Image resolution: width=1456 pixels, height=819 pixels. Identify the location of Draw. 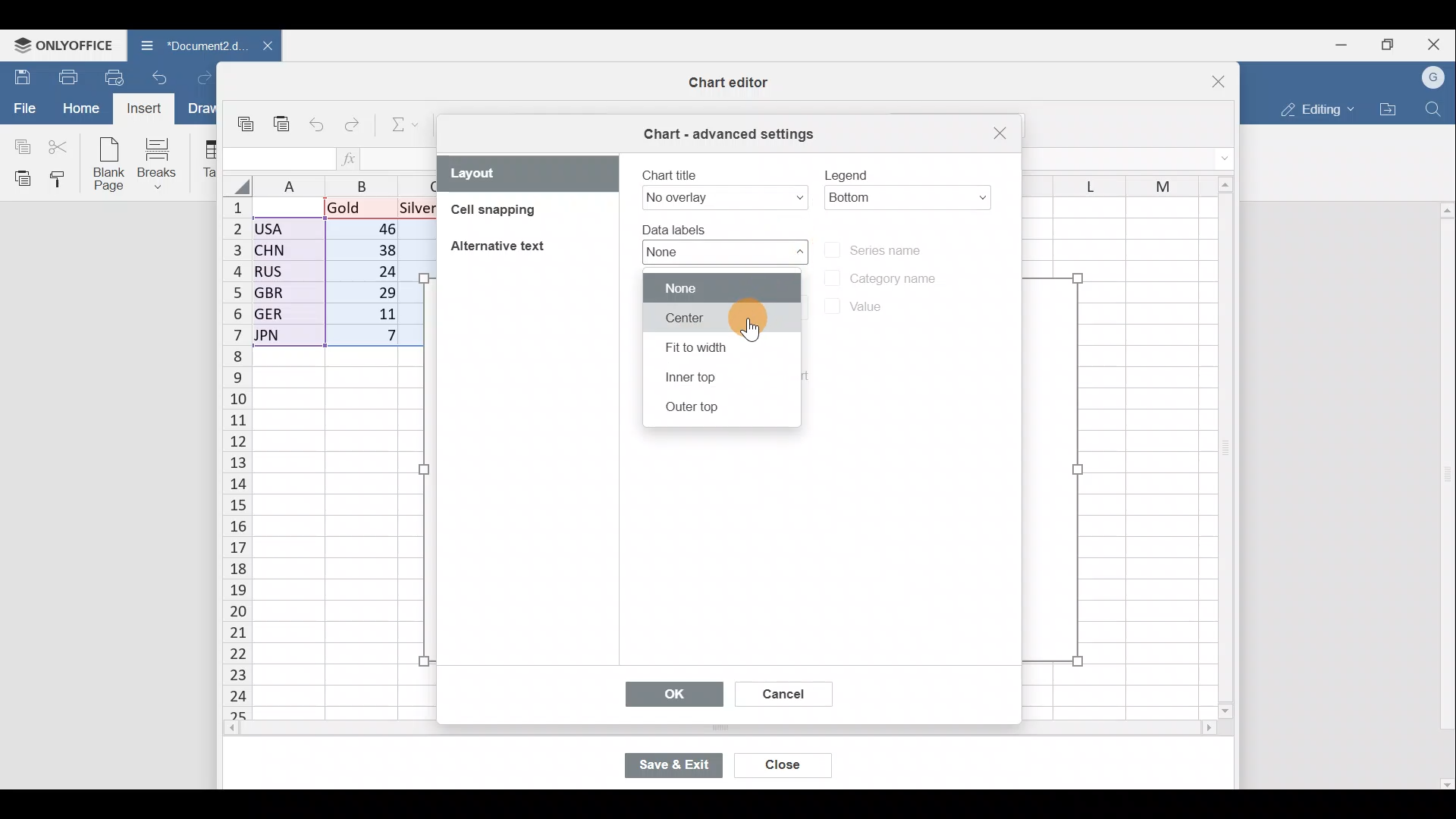
(199, 110).